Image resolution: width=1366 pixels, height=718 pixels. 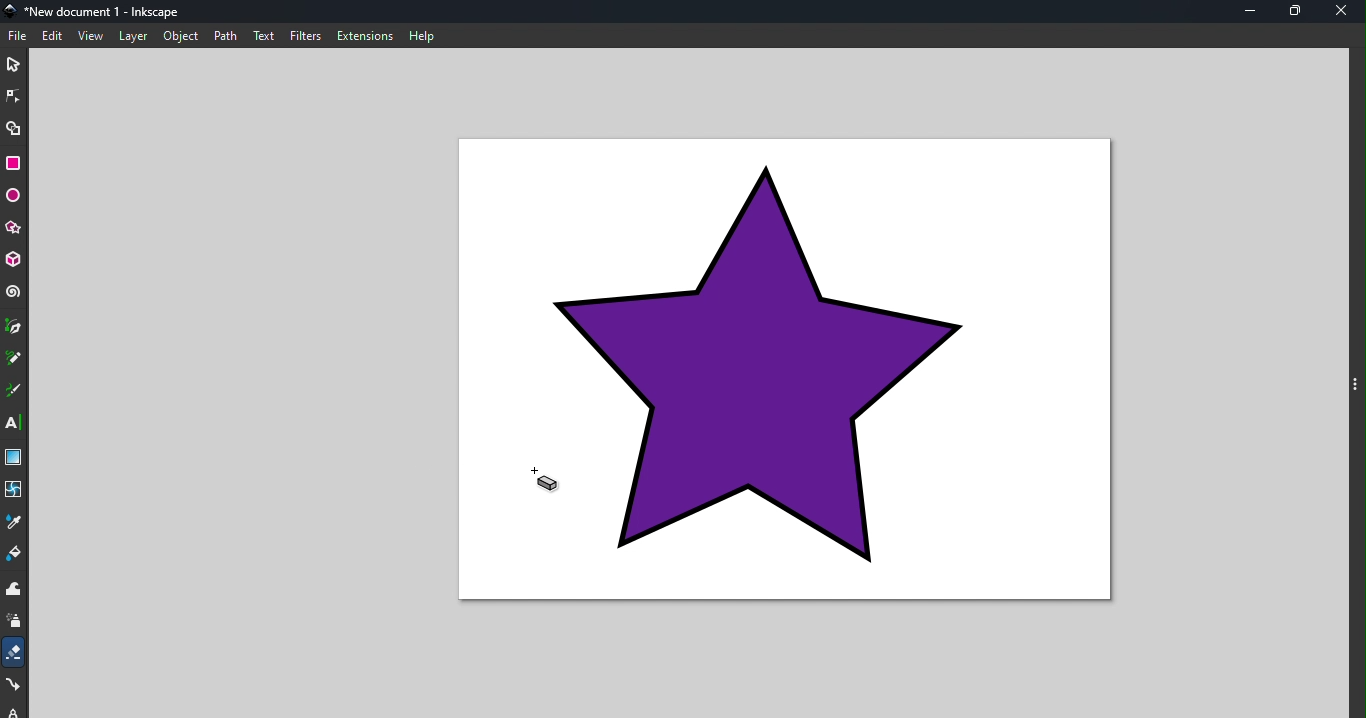 I want to click on gradient tool, so click(x=13, y=457).